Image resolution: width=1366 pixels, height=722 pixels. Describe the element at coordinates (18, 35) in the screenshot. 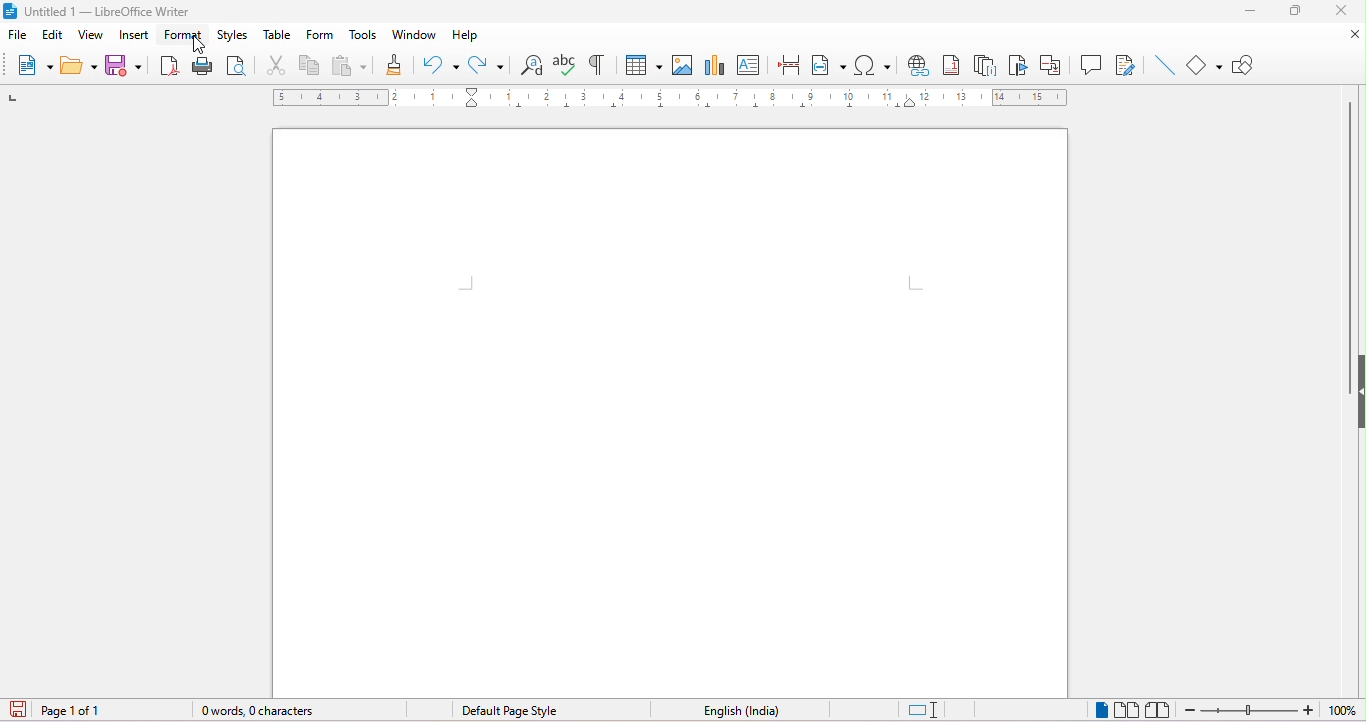

I see `file` at that location.